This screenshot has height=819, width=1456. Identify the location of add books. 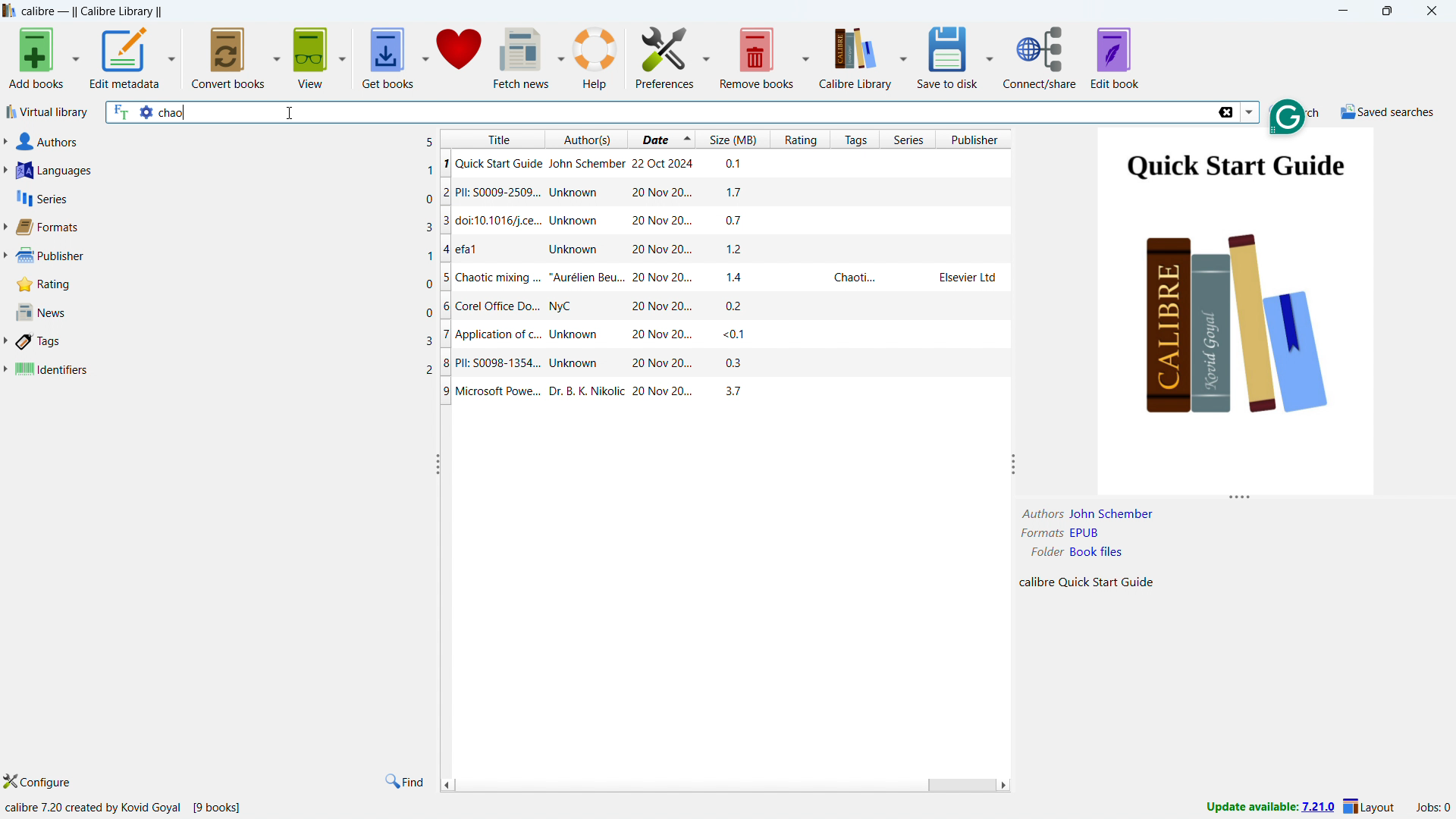
(35, 57).